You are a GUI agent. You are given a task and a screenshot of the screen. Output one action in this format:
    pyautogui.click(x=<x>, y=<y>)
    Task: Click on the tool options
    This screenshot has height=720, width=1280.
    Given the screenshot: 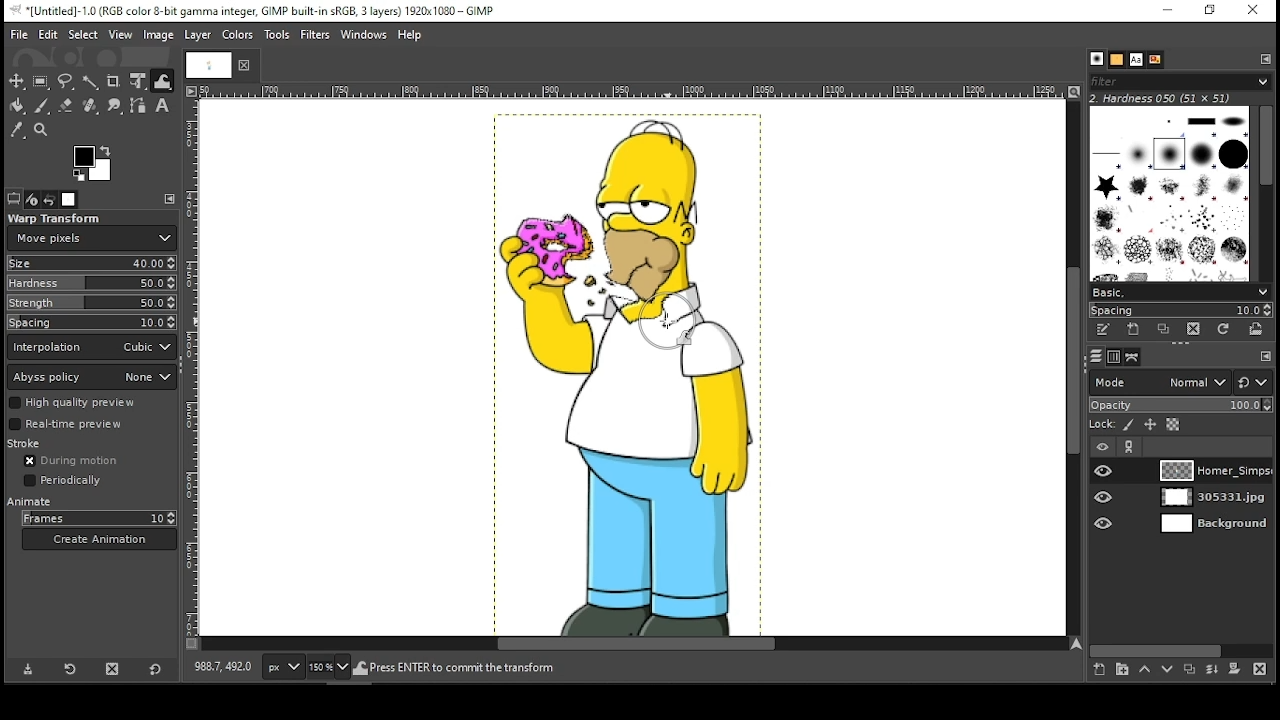 What is the action you would take?
    pyautogui.click(x=15, y=199)
    